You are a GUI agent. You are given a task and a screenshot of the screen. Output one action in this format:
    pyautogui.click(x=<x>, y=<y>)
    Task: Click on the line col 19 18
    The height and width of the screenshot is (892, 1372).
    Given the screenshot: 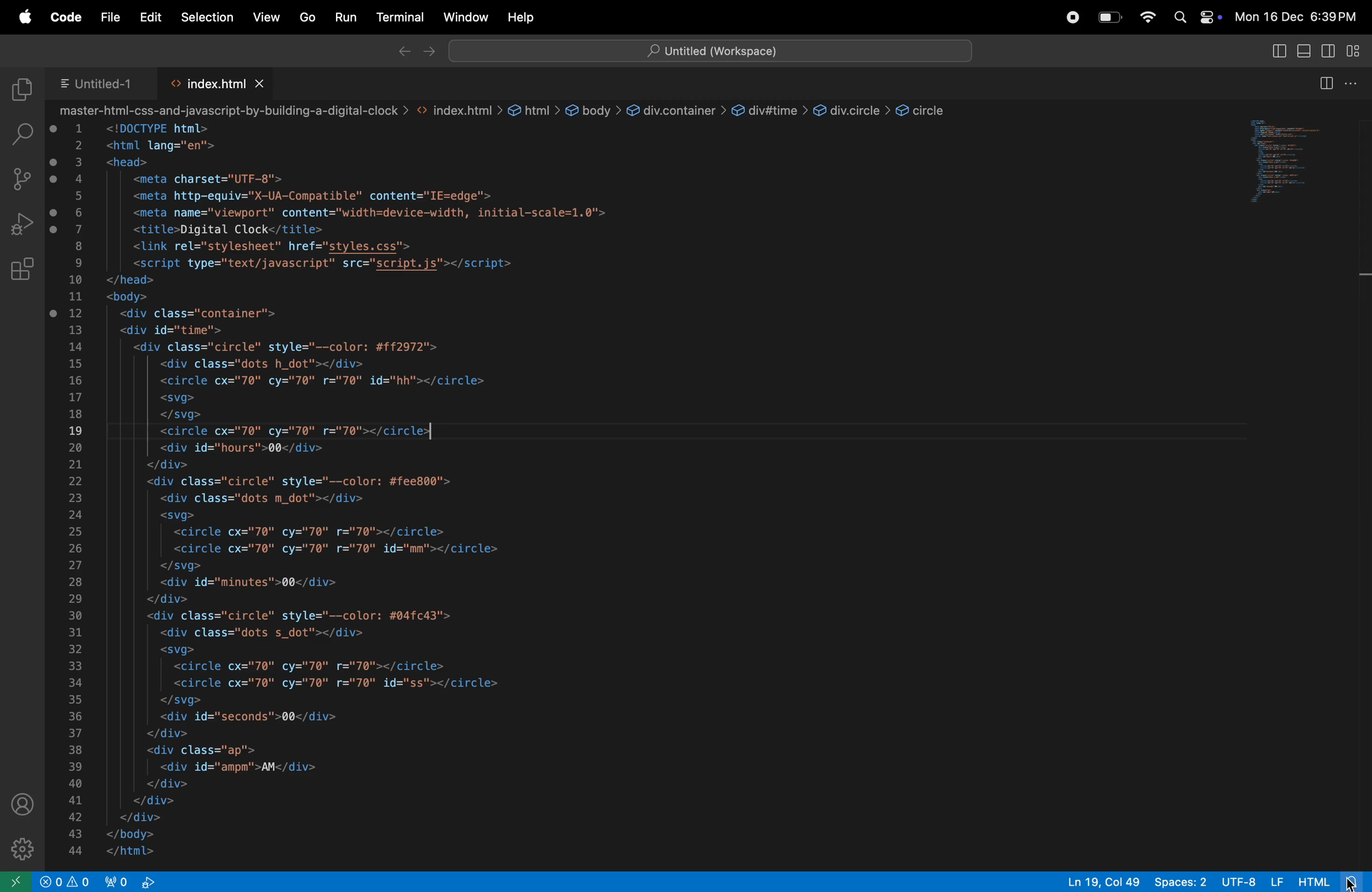 What is the action you would take?
    pyautogui.click(x=1106, y=880)
    